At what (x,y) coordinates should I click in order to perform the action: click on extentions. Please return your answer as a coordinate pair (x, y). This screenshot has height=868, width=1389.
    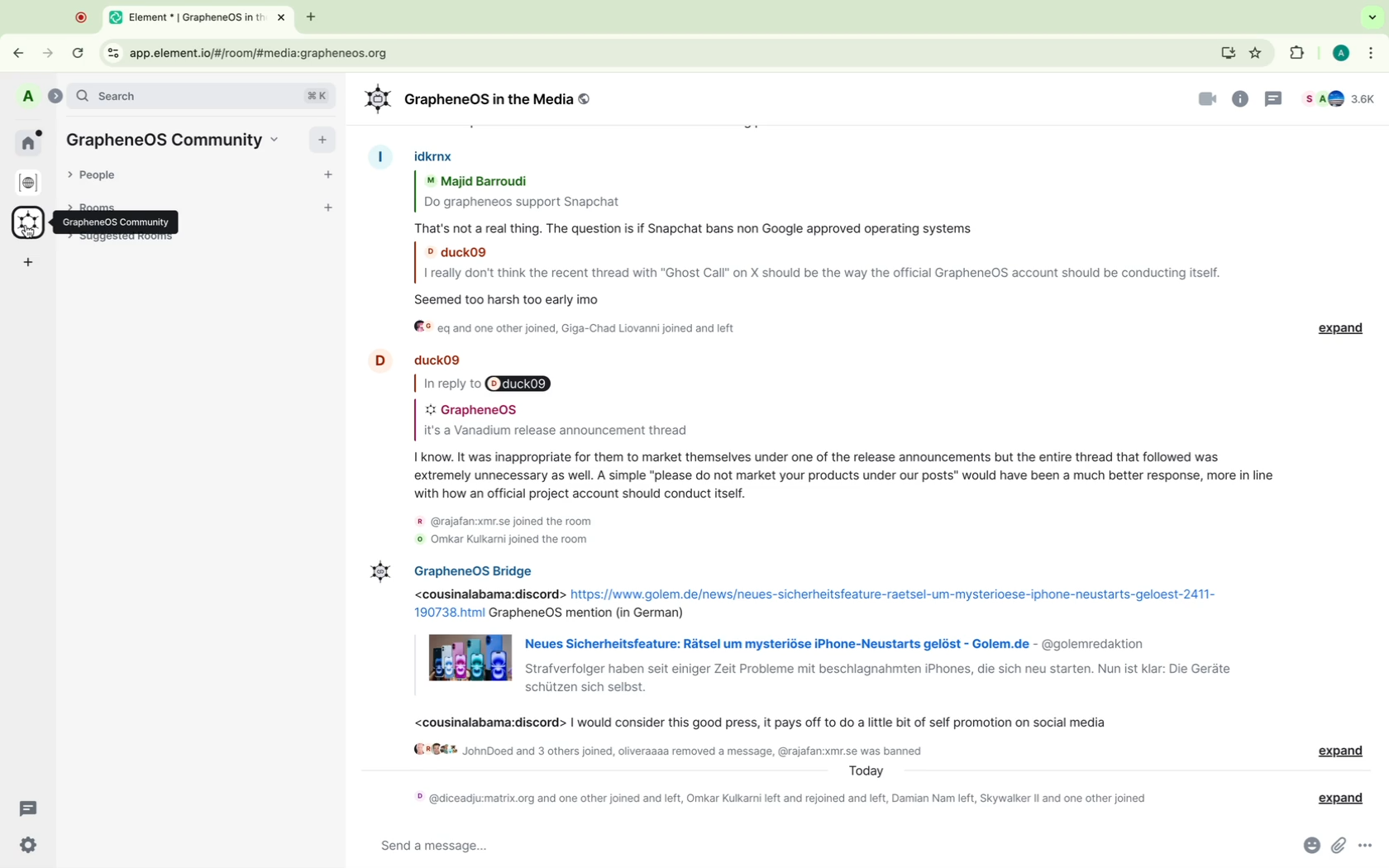
    Looking at the image, I should click on (1294, 53).